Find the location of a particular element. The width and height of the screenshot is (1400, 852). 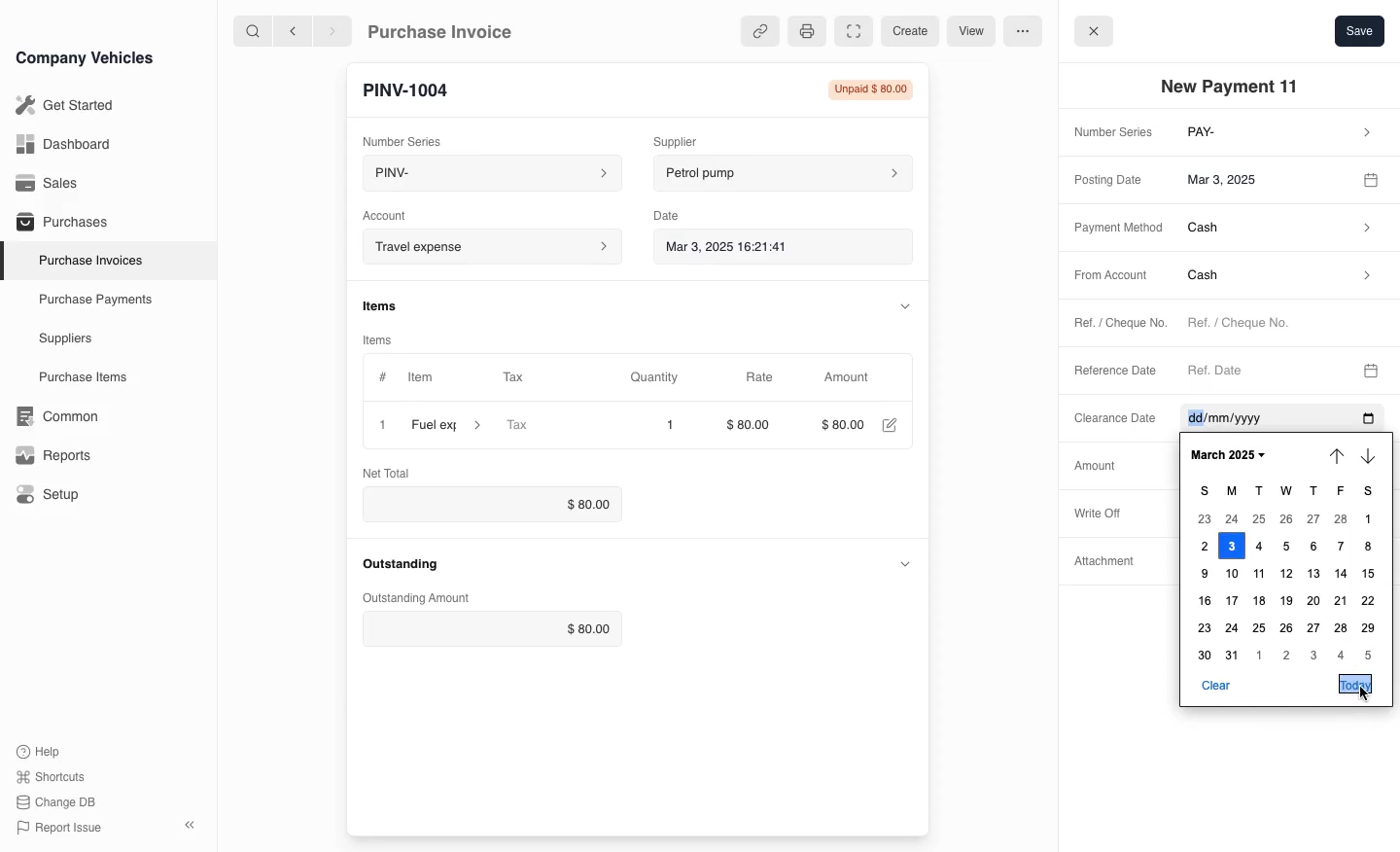

today is located at coordinates (1354, 684).